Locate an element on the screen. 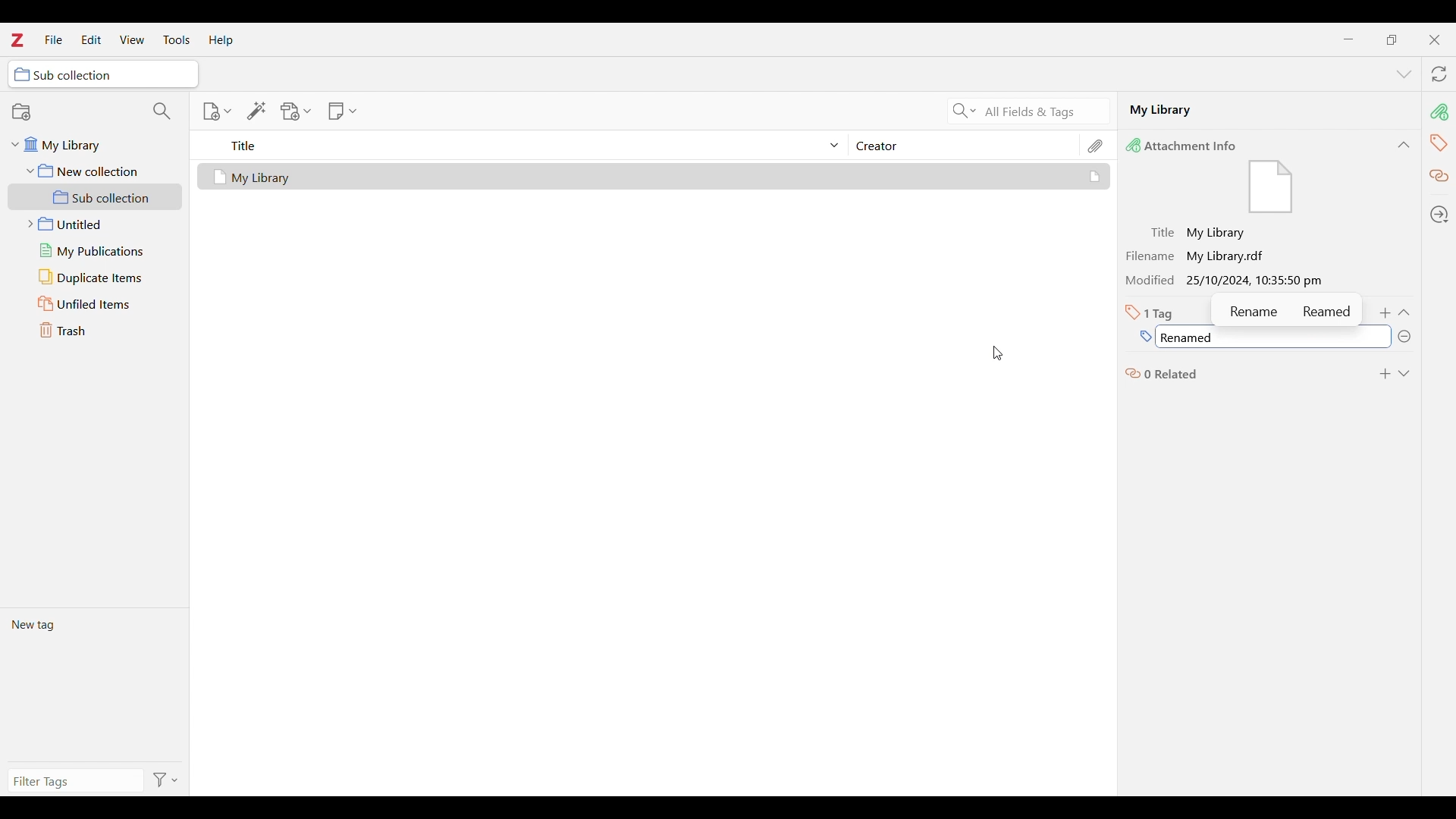 The height and width of the screenshot is (819, 1456). Modified 25/10/2024, 10:35:50 pm is located at coordinates (1228, 281).